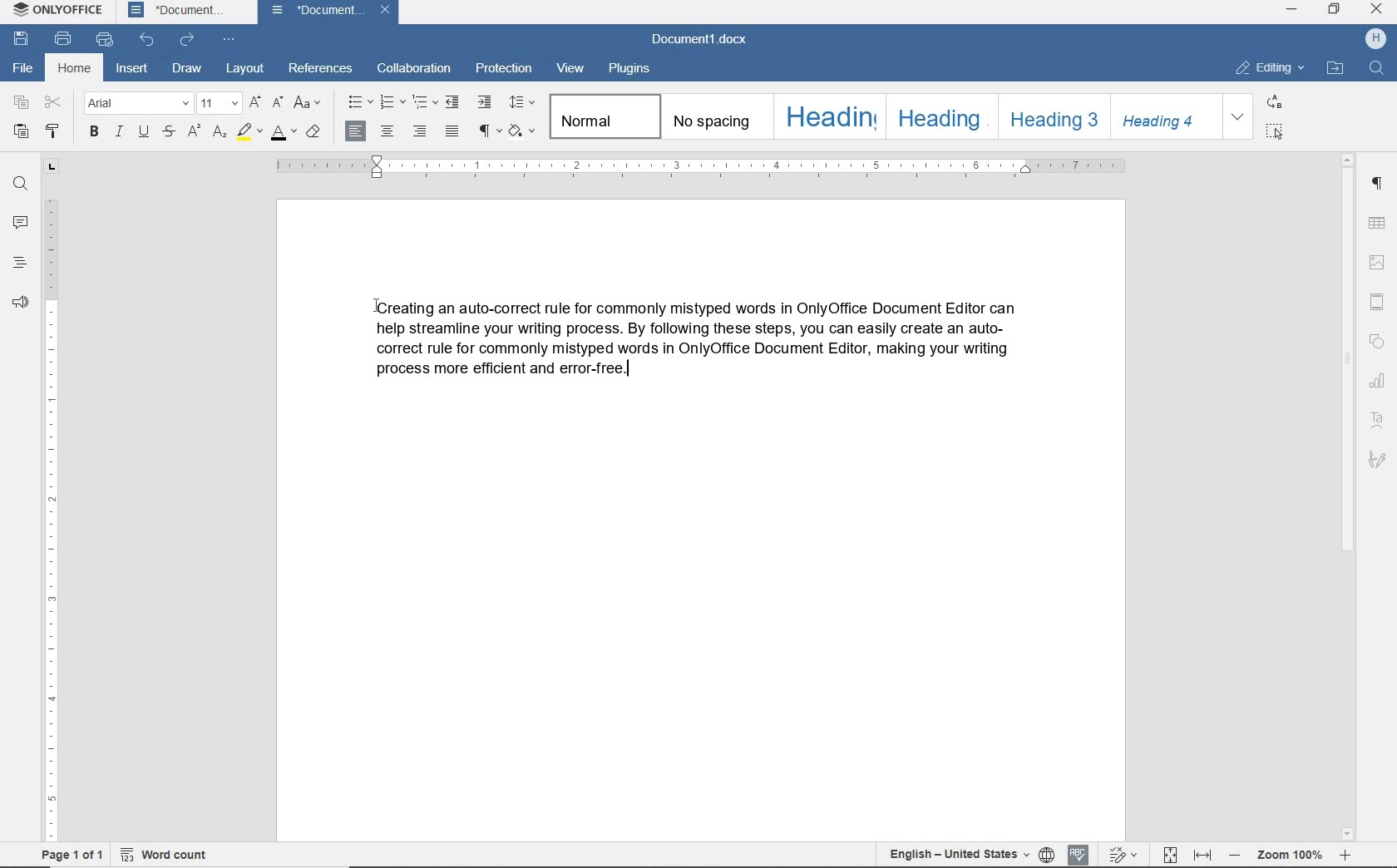 This screenshot has width=1397, height=868. What do you see at coordinates (1054, 117) in the screenshot?
I see `heading 3` at bounding box center [1054, 117].